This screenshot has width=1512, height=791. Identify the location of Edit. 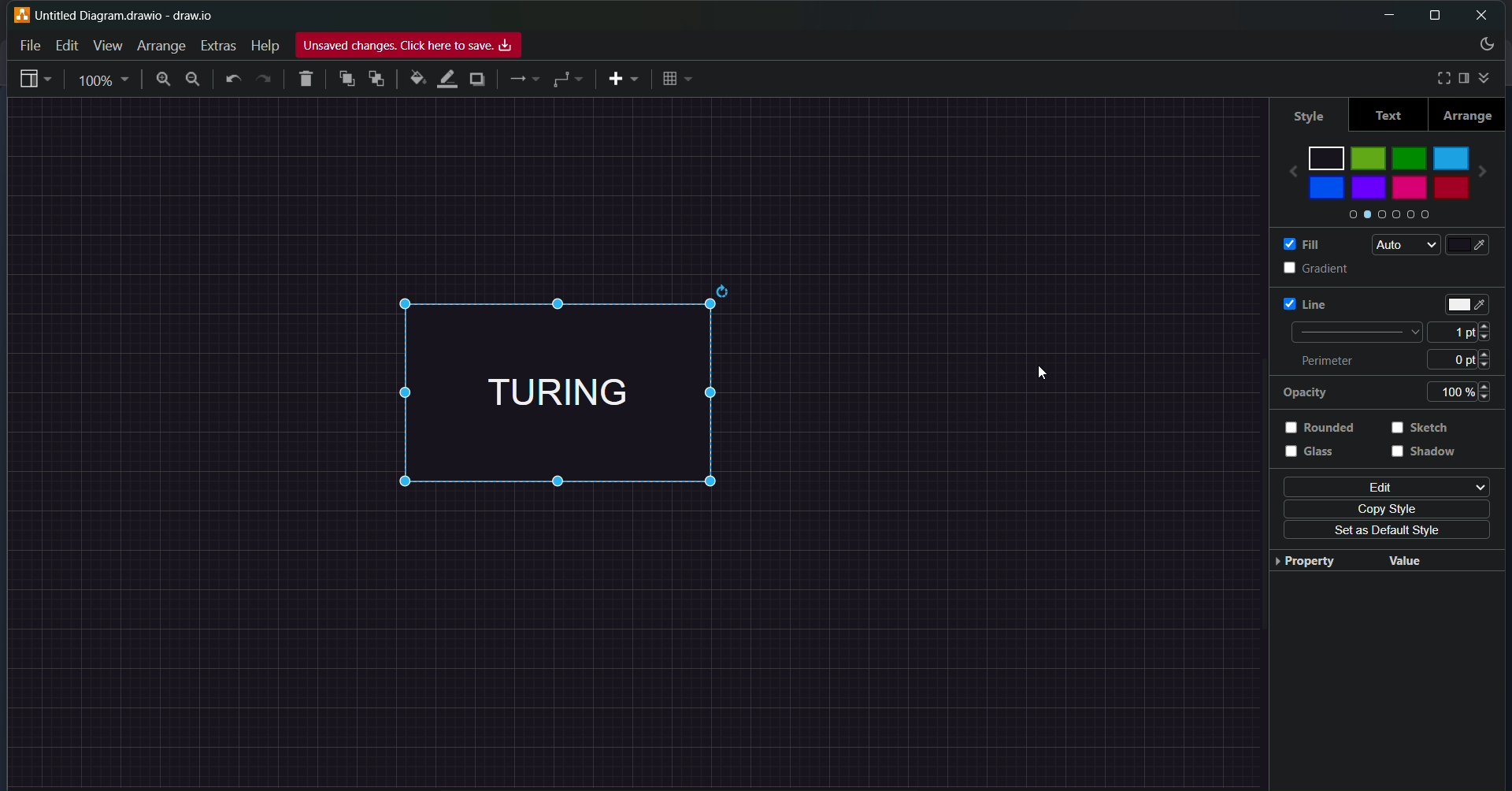
(63, 45).